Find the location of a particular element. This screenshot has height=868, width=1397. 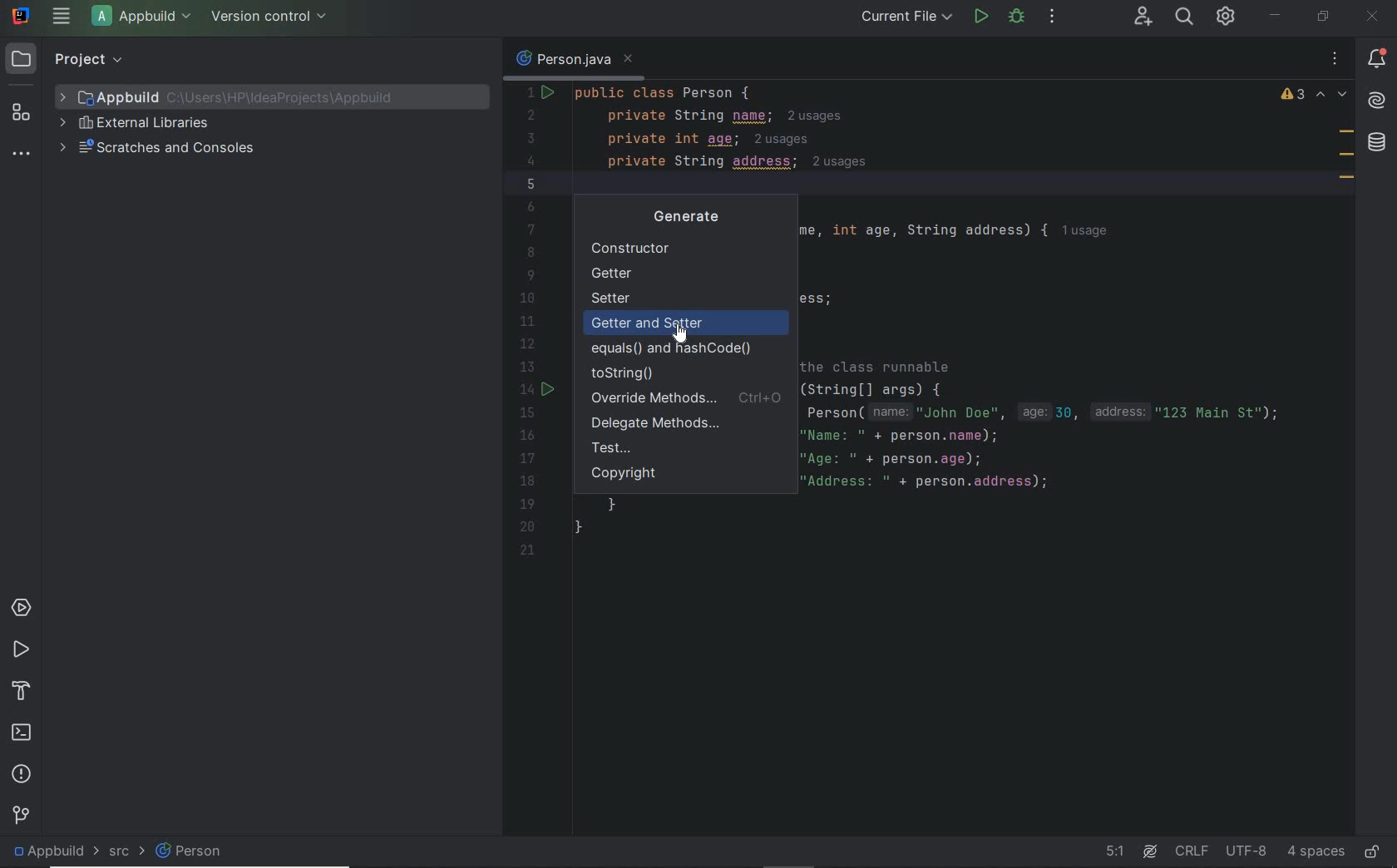

Override Methods... is located at coordinates (654, 397).